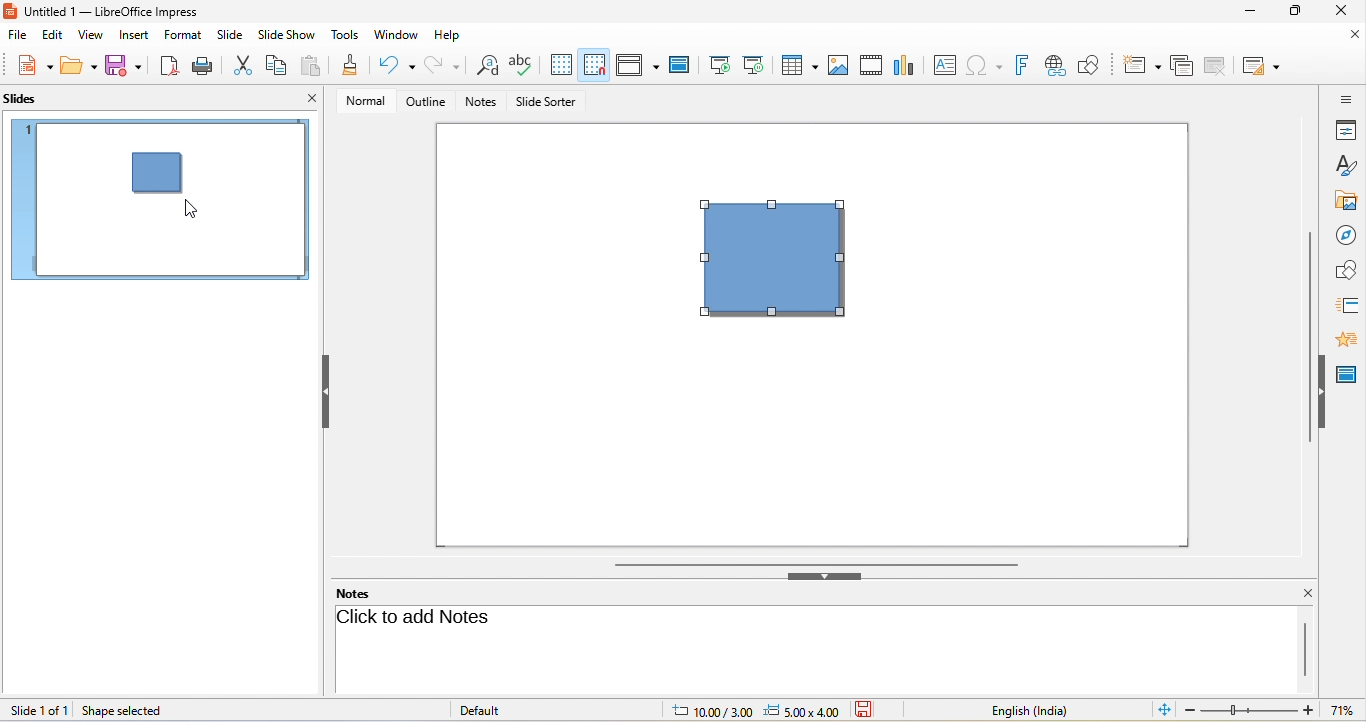 This screenshot has width=1366, height=722. What do you see at coordinates (326, 394) in the screenshot?
I see `hide` at bounding box center [326, 394].